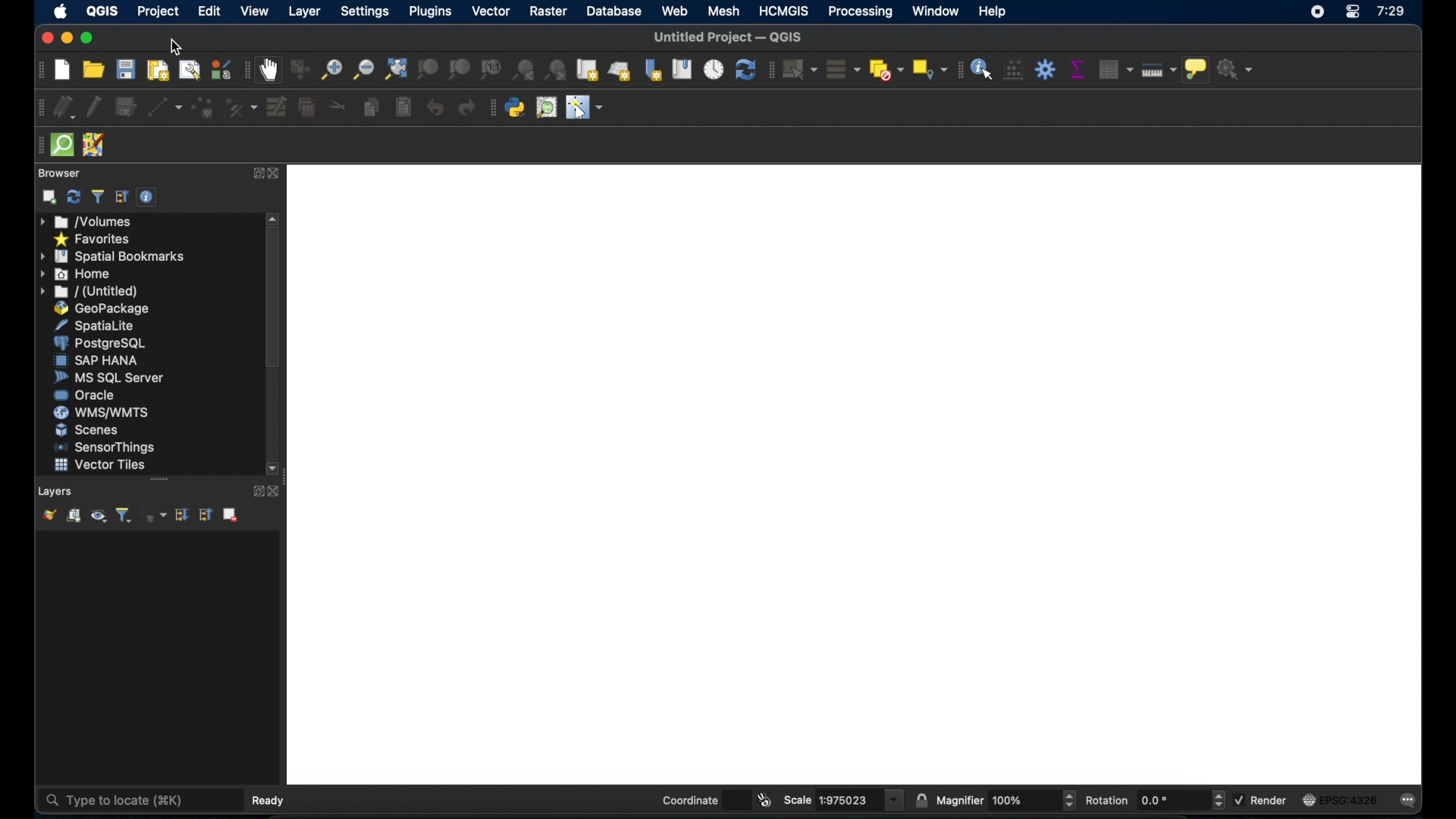  I want to click on toolbox, so click(1046, 69).